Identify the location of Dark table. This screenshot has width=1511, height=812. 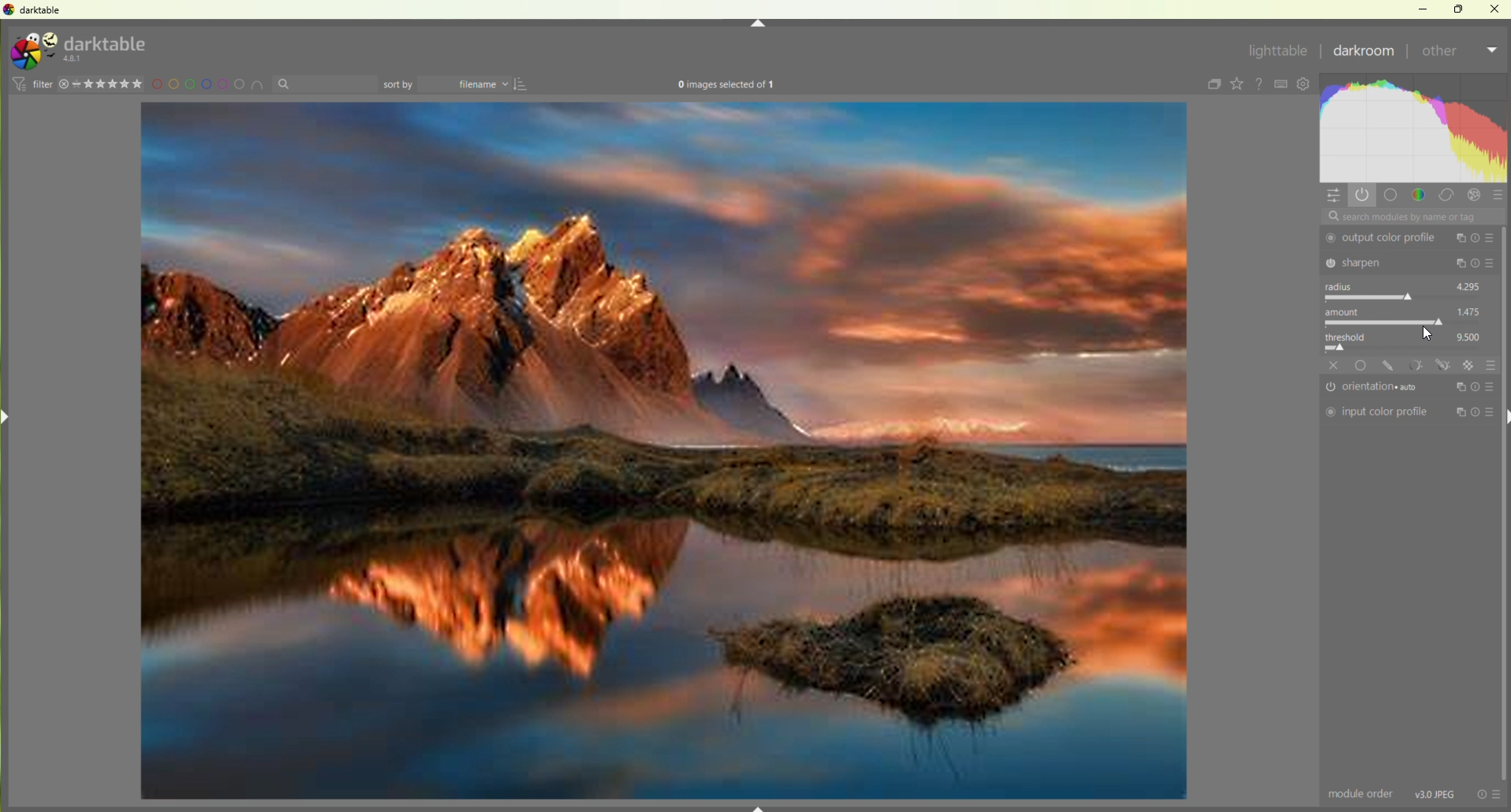
(44, 10).